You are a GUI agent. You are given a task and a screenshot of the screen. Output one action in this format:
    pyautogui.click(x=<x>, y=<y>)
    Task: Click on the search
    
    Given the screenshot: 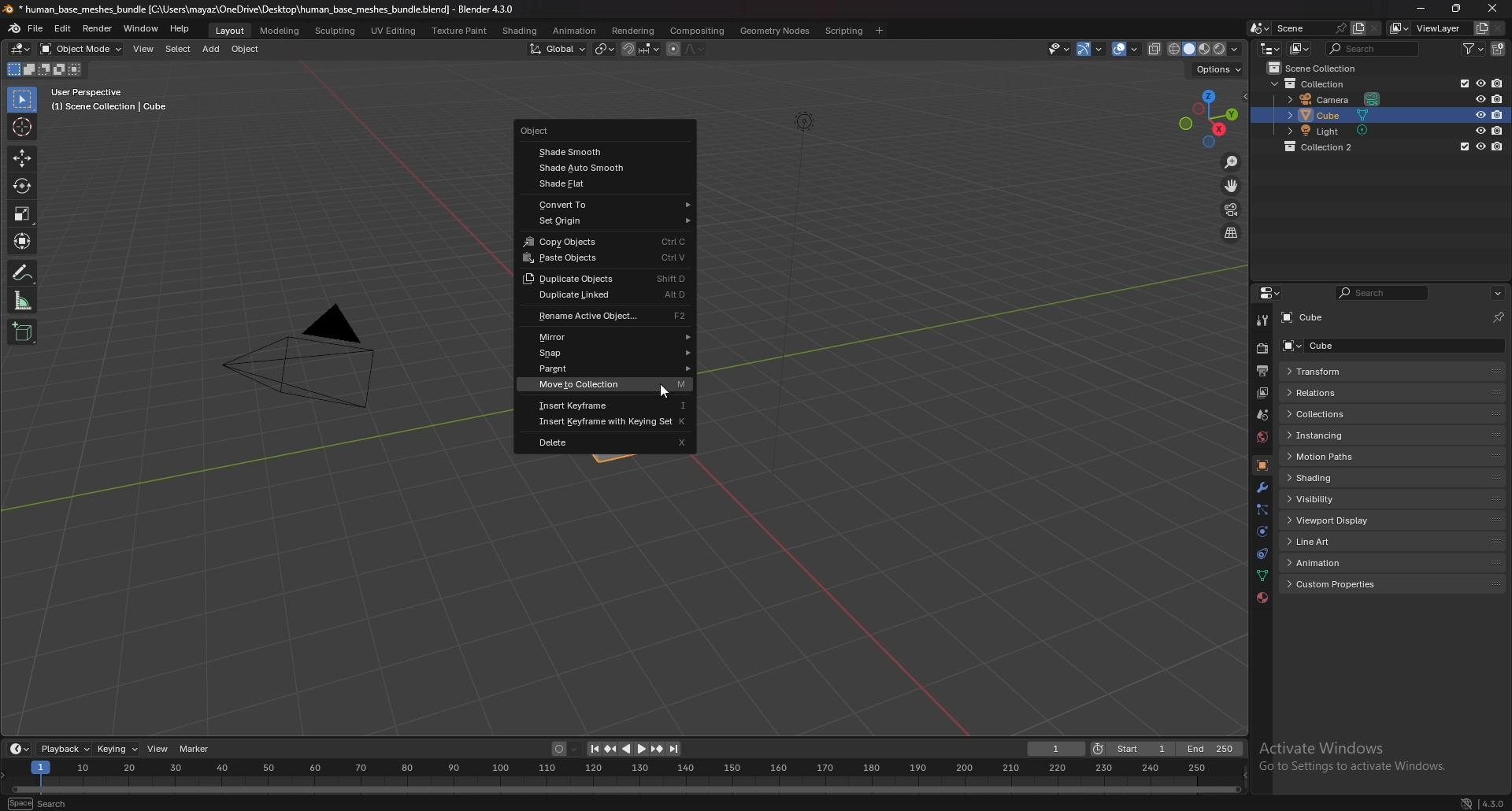 What is the action you would take?
    pyautogui.click(x=1375, y=48)
    